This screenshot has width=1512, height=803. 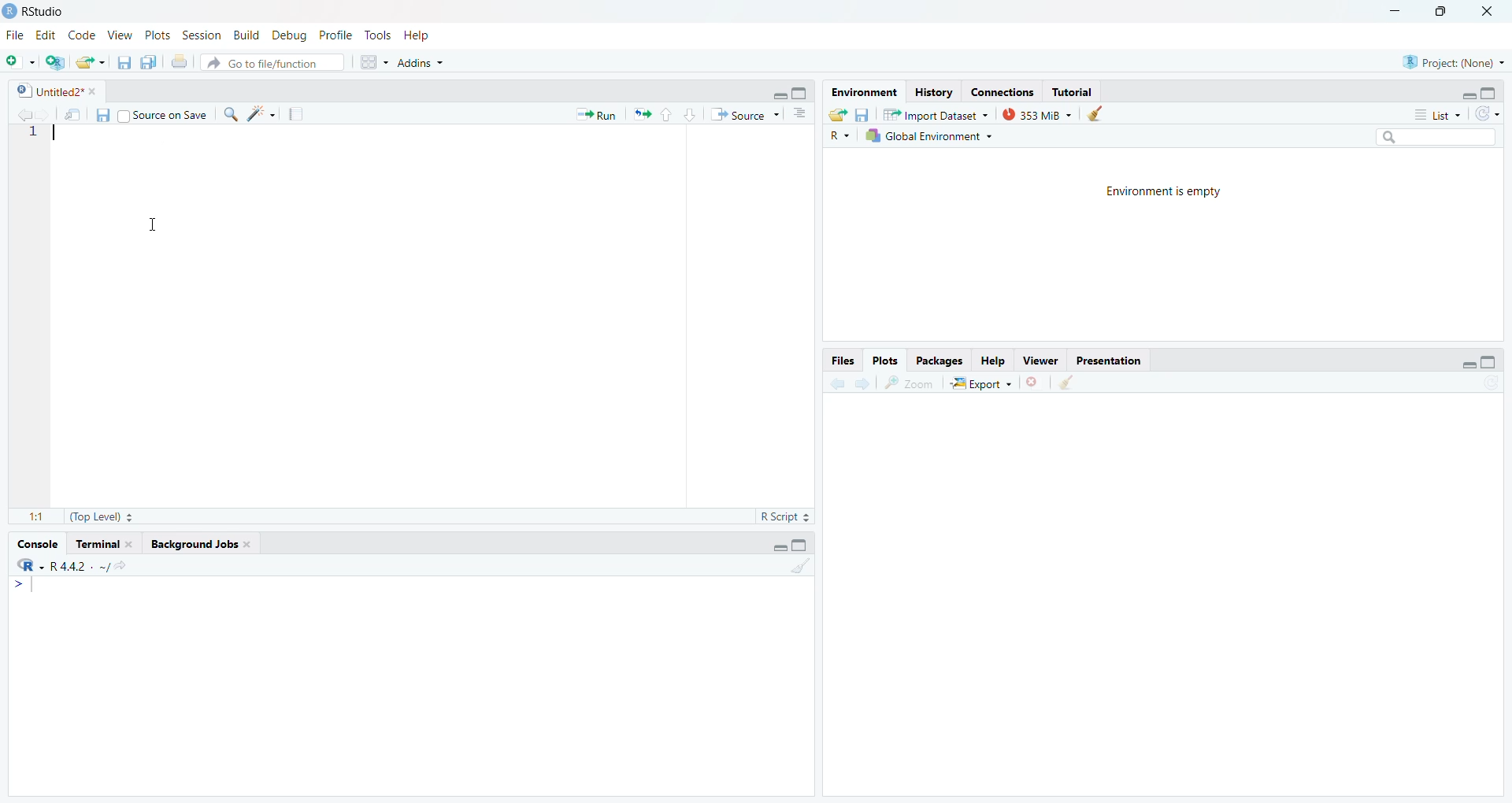 What do you see at coordinates (887, 361) in the screenshot?
I see `Plots` at bounding box center [887, 361].